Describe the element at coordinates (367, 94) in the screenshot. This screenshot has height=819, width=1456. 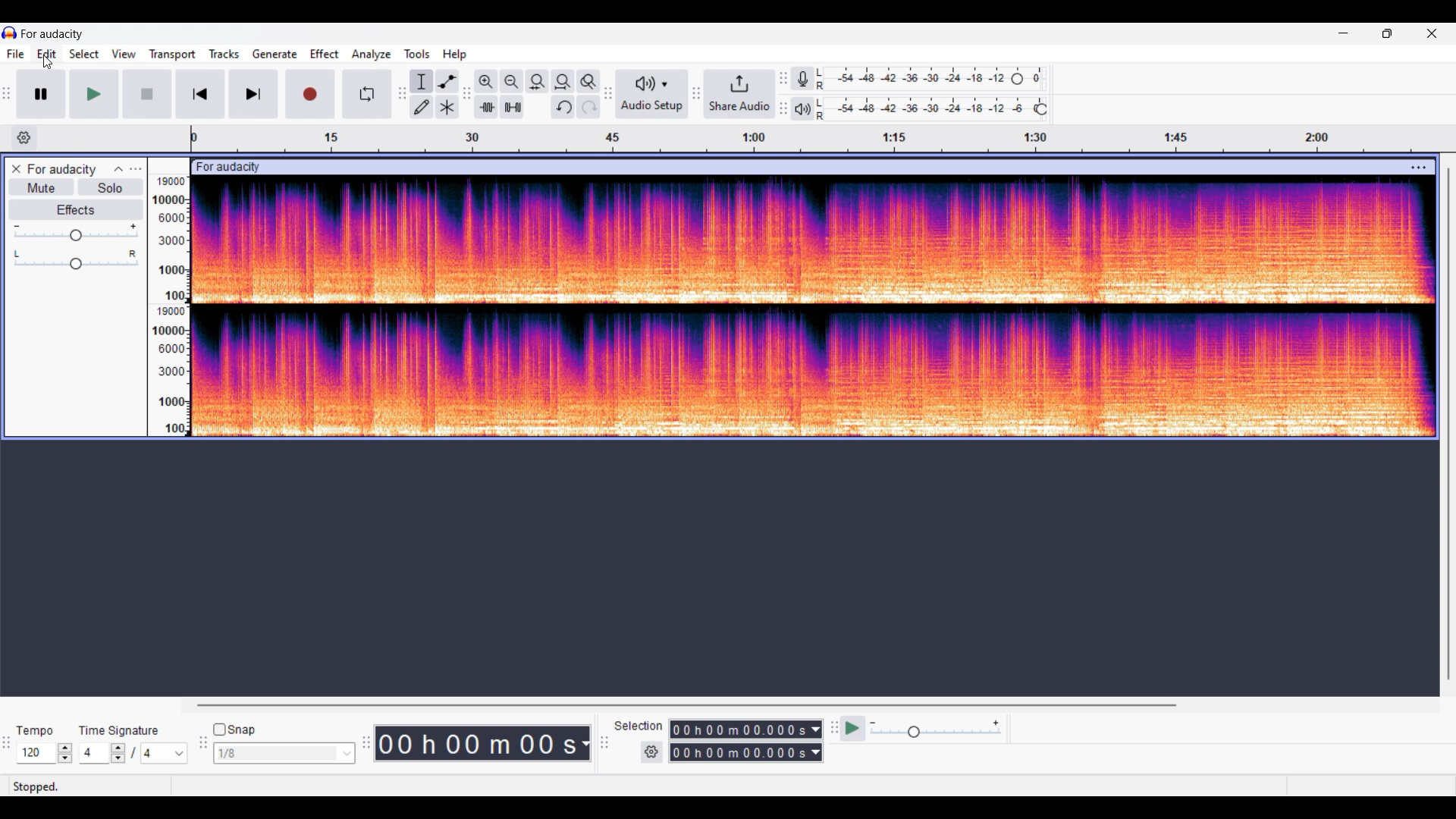
I see `Enable looping` at that location.